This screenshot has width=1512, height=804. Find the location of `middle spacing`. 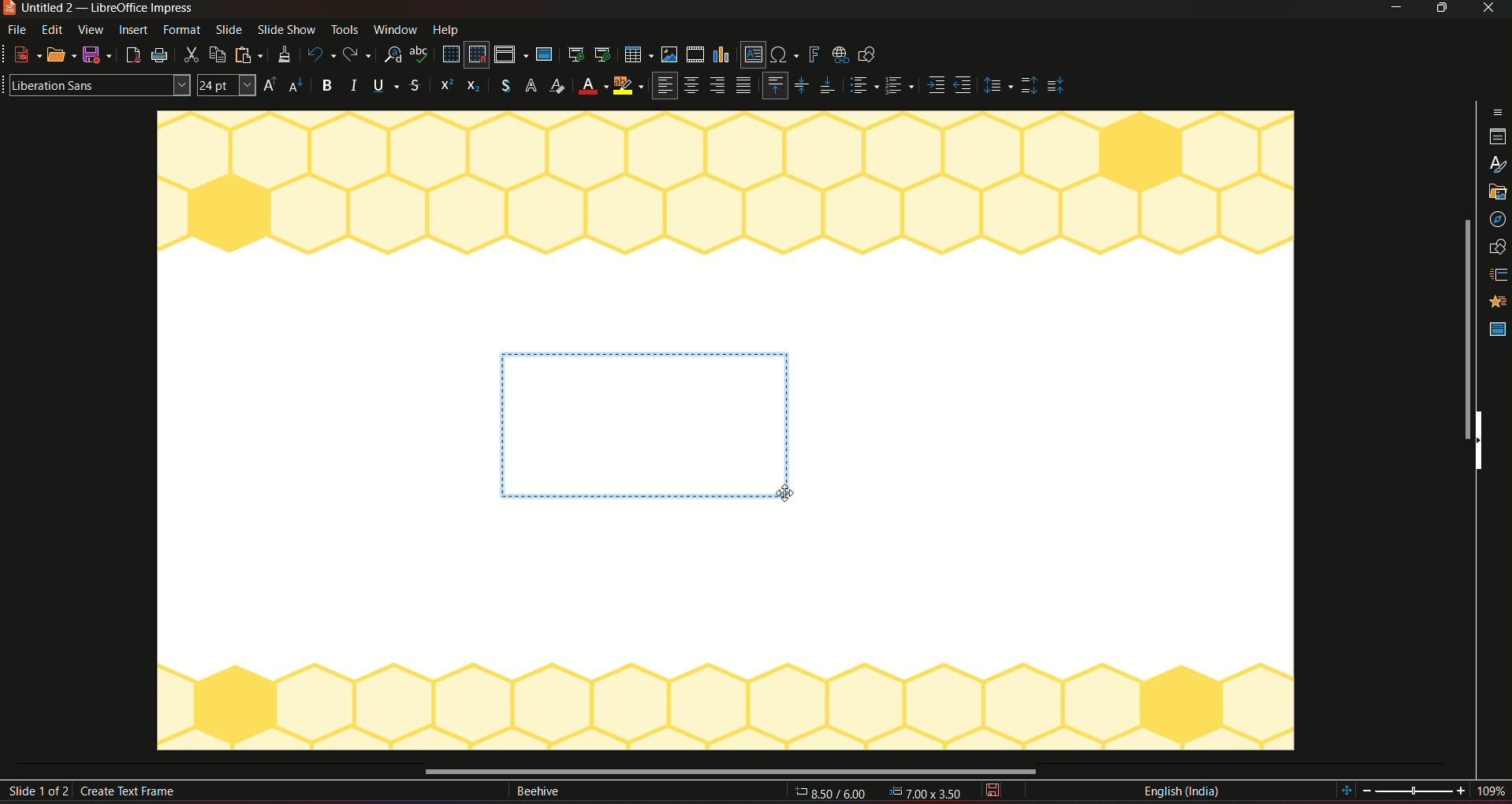

middle spacing is located at coordinates (1060, 86).